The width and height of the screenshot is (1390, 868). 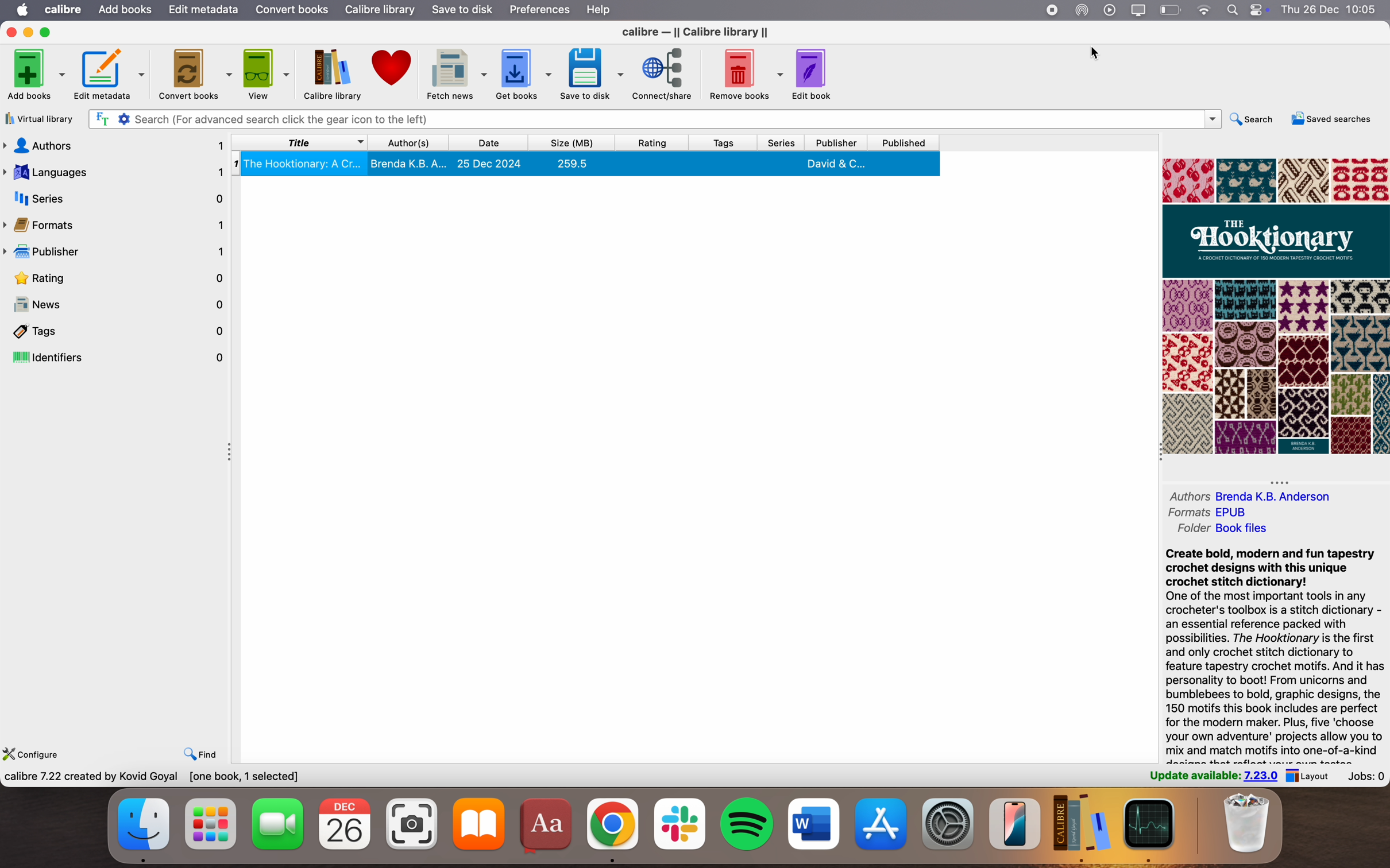 I want to click on add books, so click(x=126, y=9).